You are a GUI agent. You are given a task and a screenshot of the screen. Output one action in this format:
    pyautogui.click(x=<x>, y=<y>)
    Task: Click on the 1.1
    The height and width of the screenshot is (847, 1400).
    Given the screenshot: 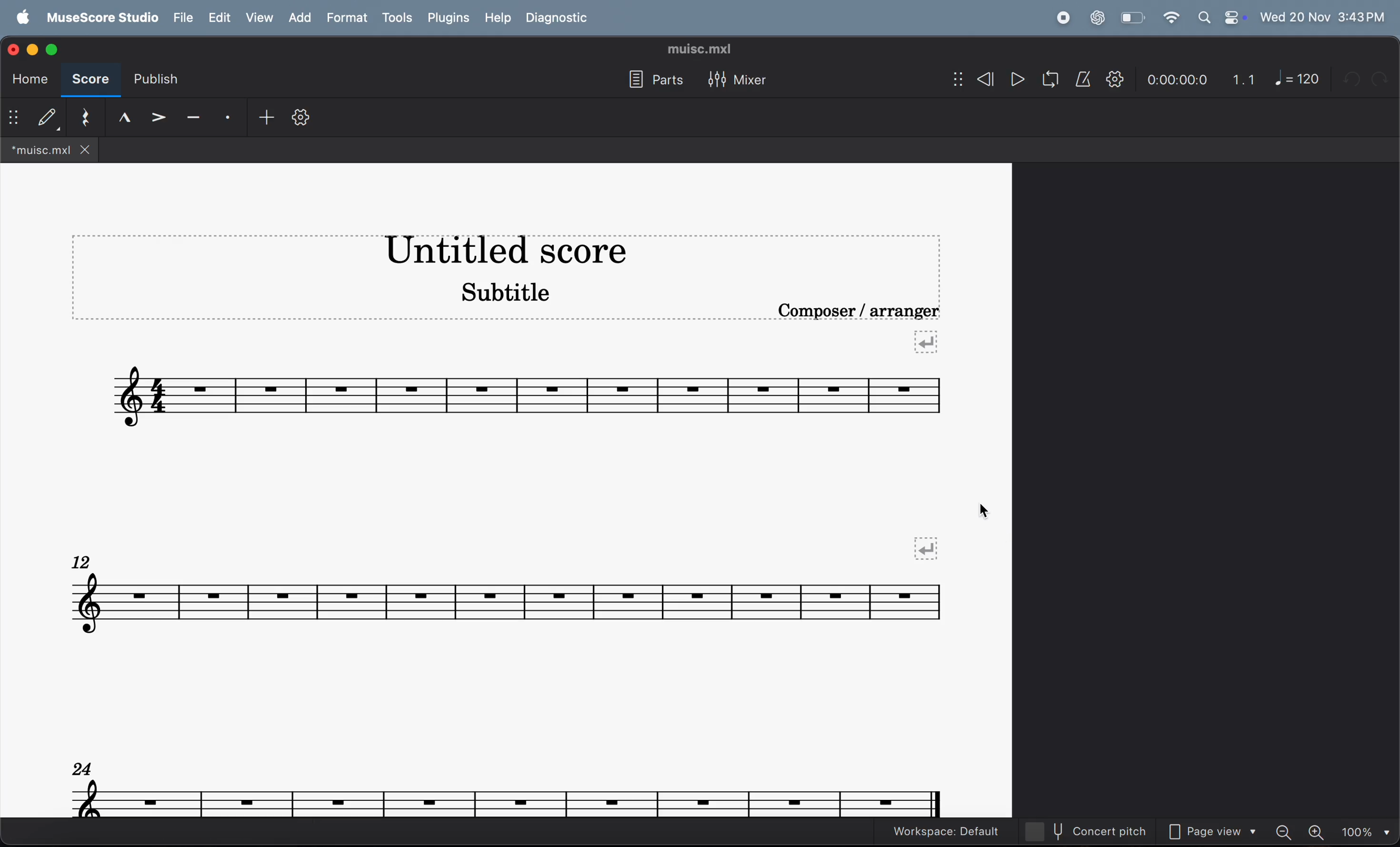 What is the action you would take?
    pyautogui.click(x=1243, y=78)
    